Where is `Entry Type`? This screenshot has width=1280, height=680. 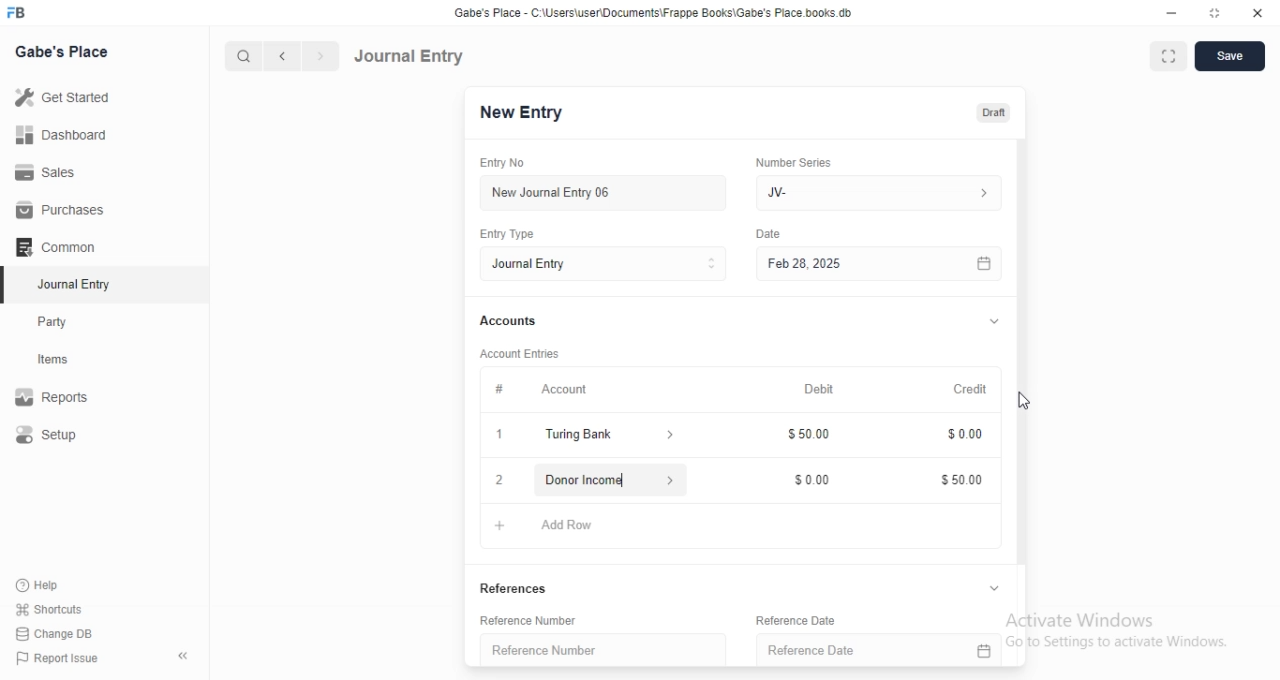
Entry Type is located at coordinates (602, 264).